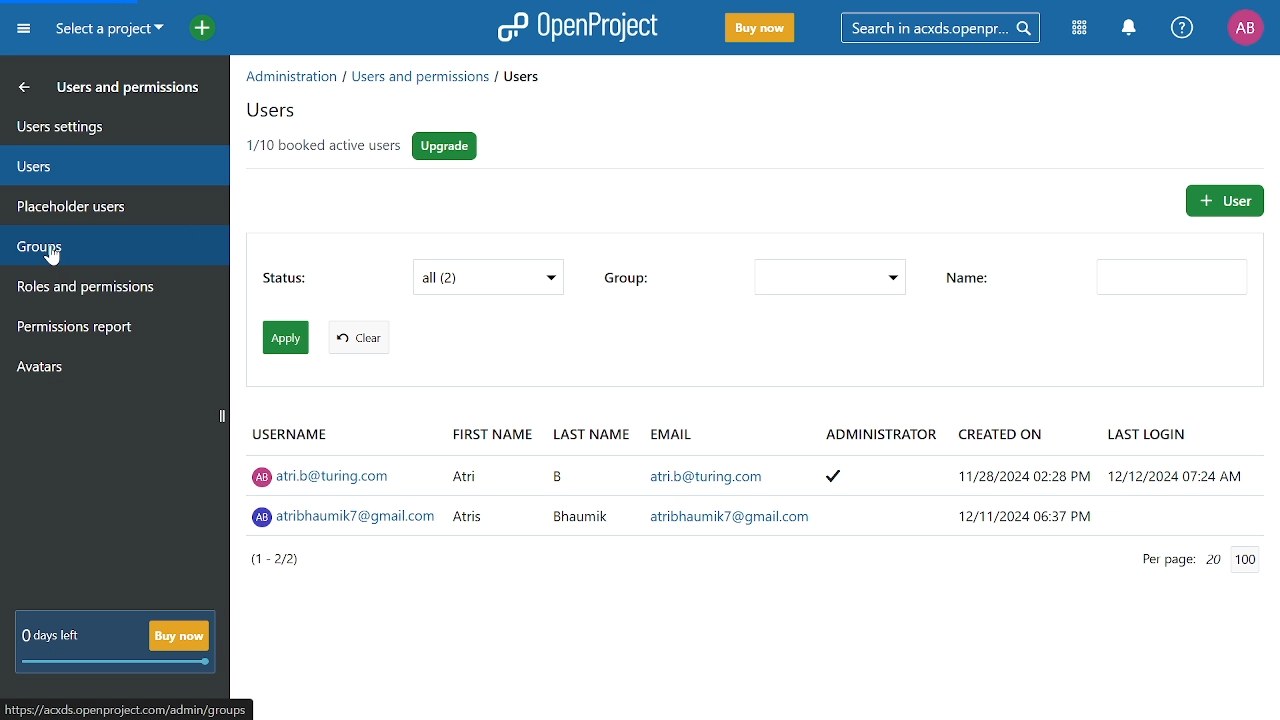 This screenshot has width=1280, height=720. Describe the element at coordinates (103, 125) in the screenshot. I see `User settings` at that location.